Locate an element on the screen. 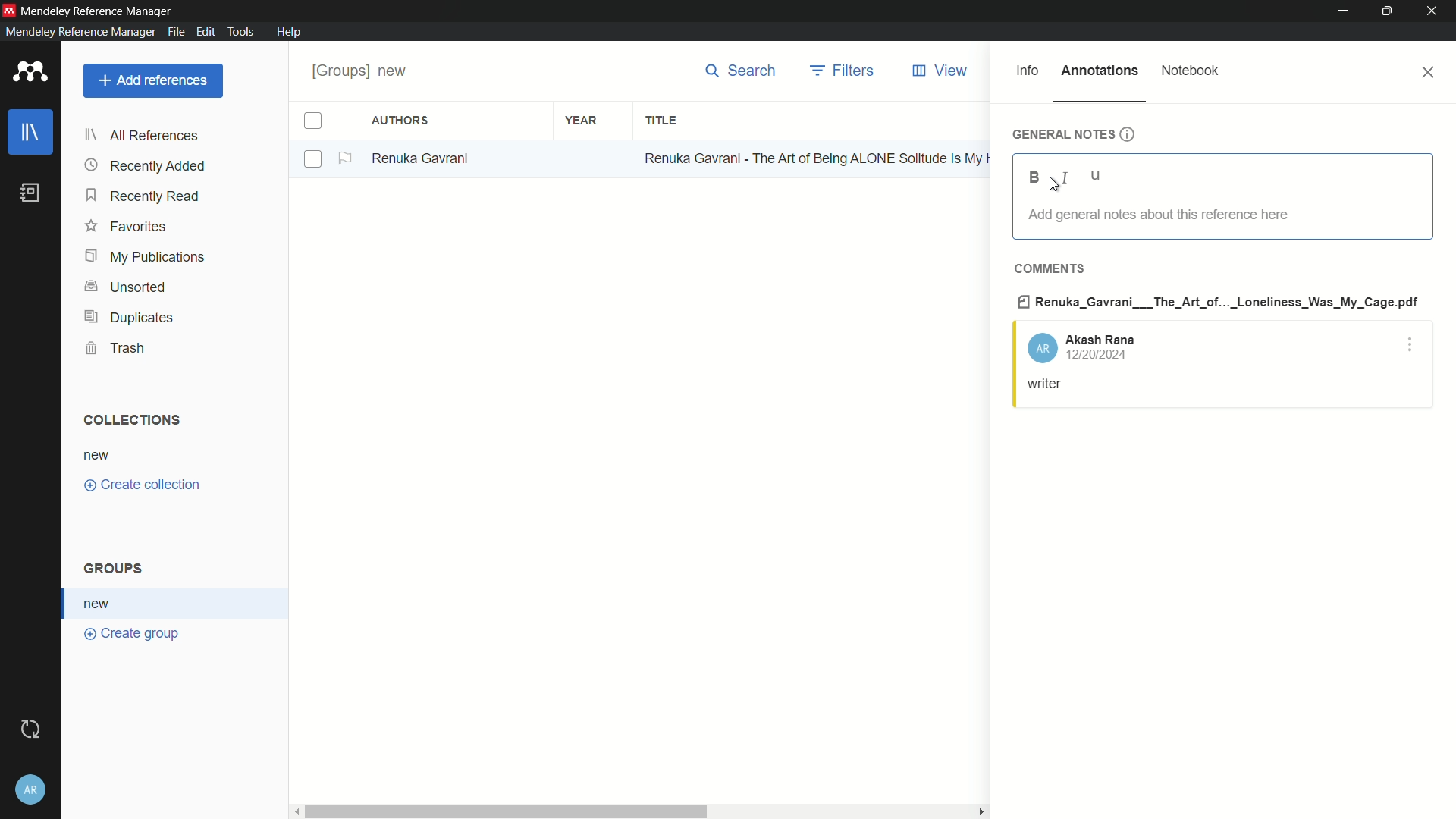  Renuka Gavrani The Art of Loneliness Was My Cage.pdf is located at coordinates (1219, 300).